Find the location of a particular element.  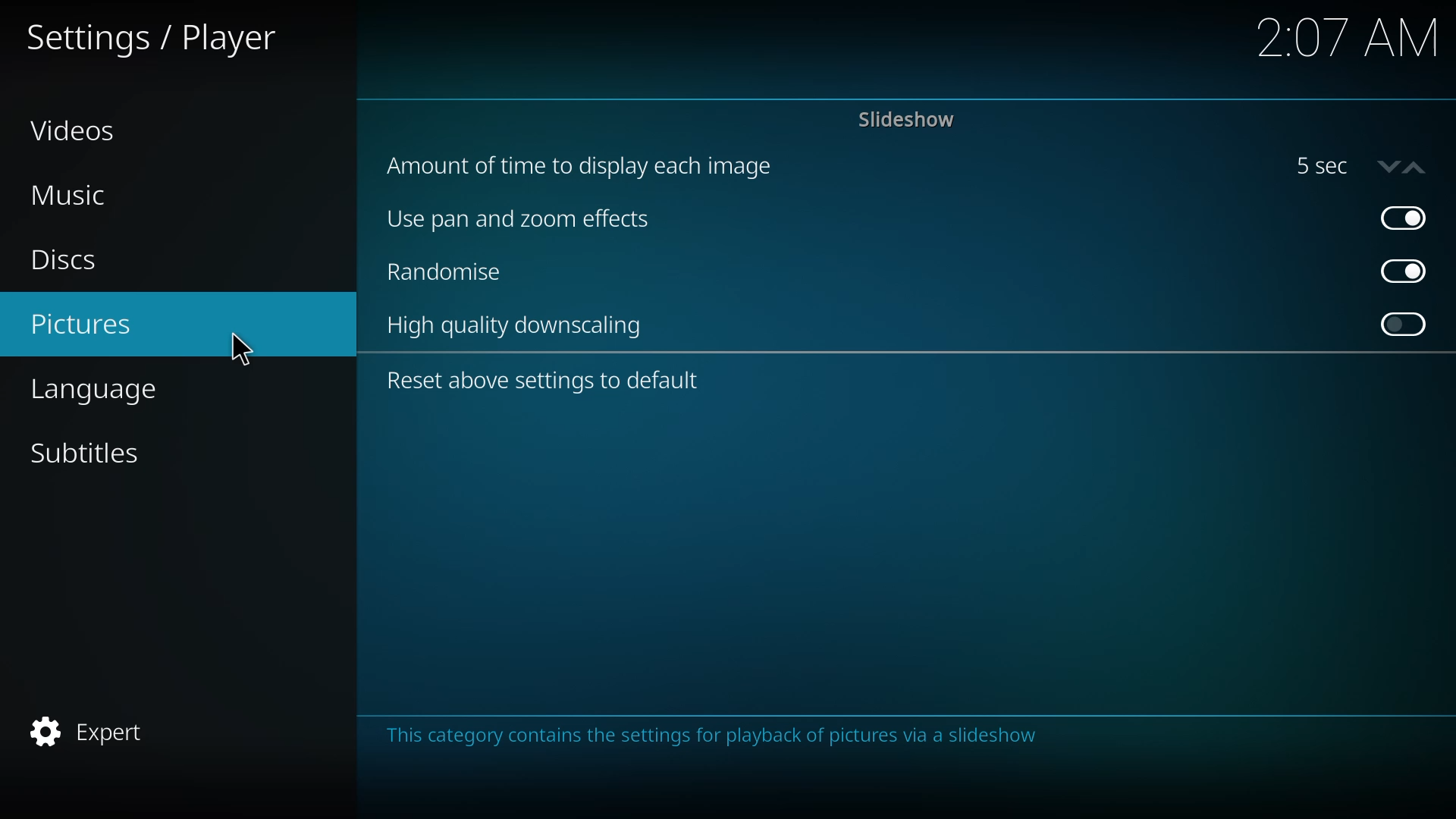

language is located at coordinates (117, 390).